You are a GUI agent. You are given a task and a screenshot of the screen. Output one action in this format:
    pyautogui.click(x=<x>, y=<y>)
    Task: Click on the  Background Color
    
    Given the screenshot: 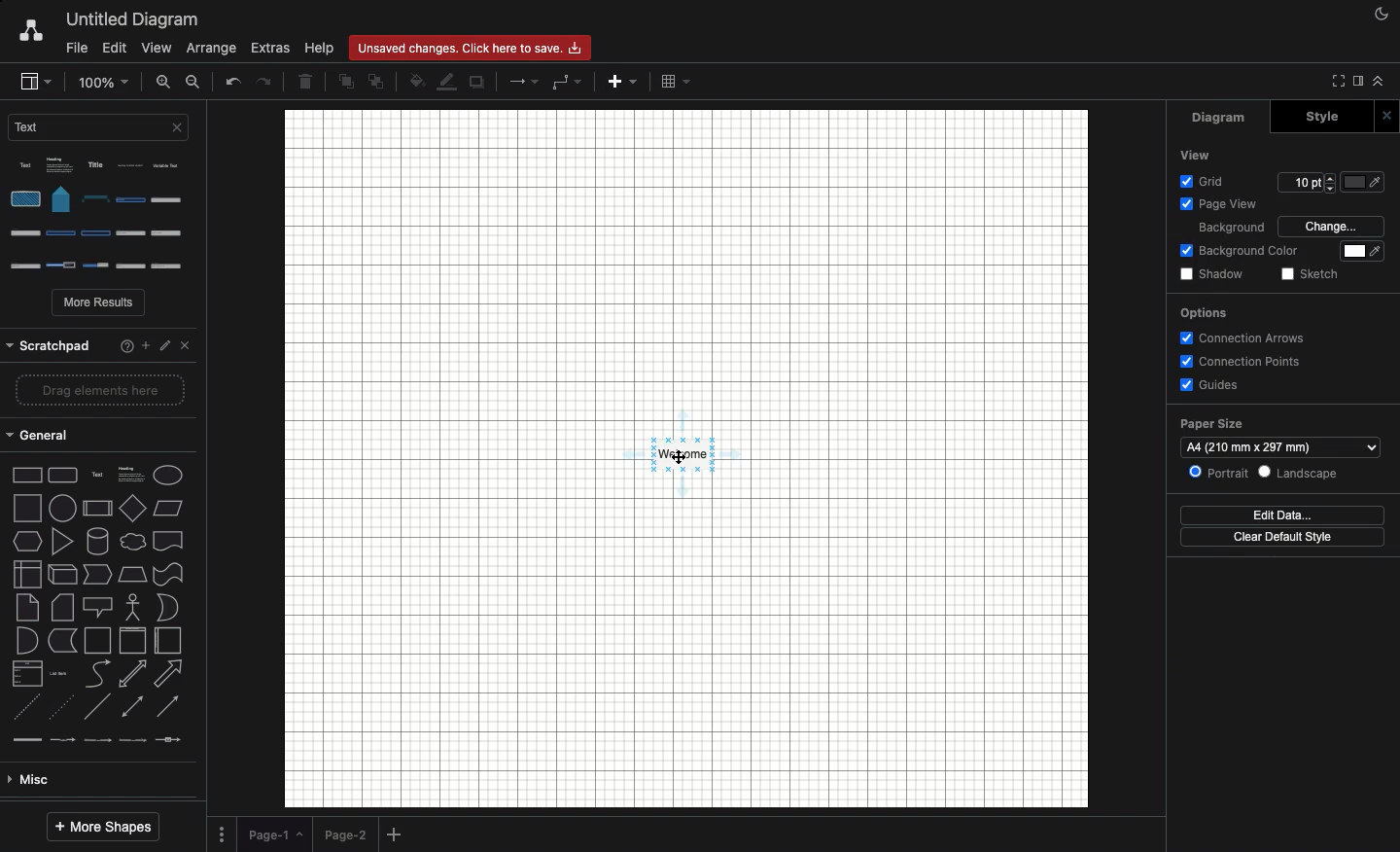 What is the action you would take?
    pyautogui.click(x=1275, y=254)
    